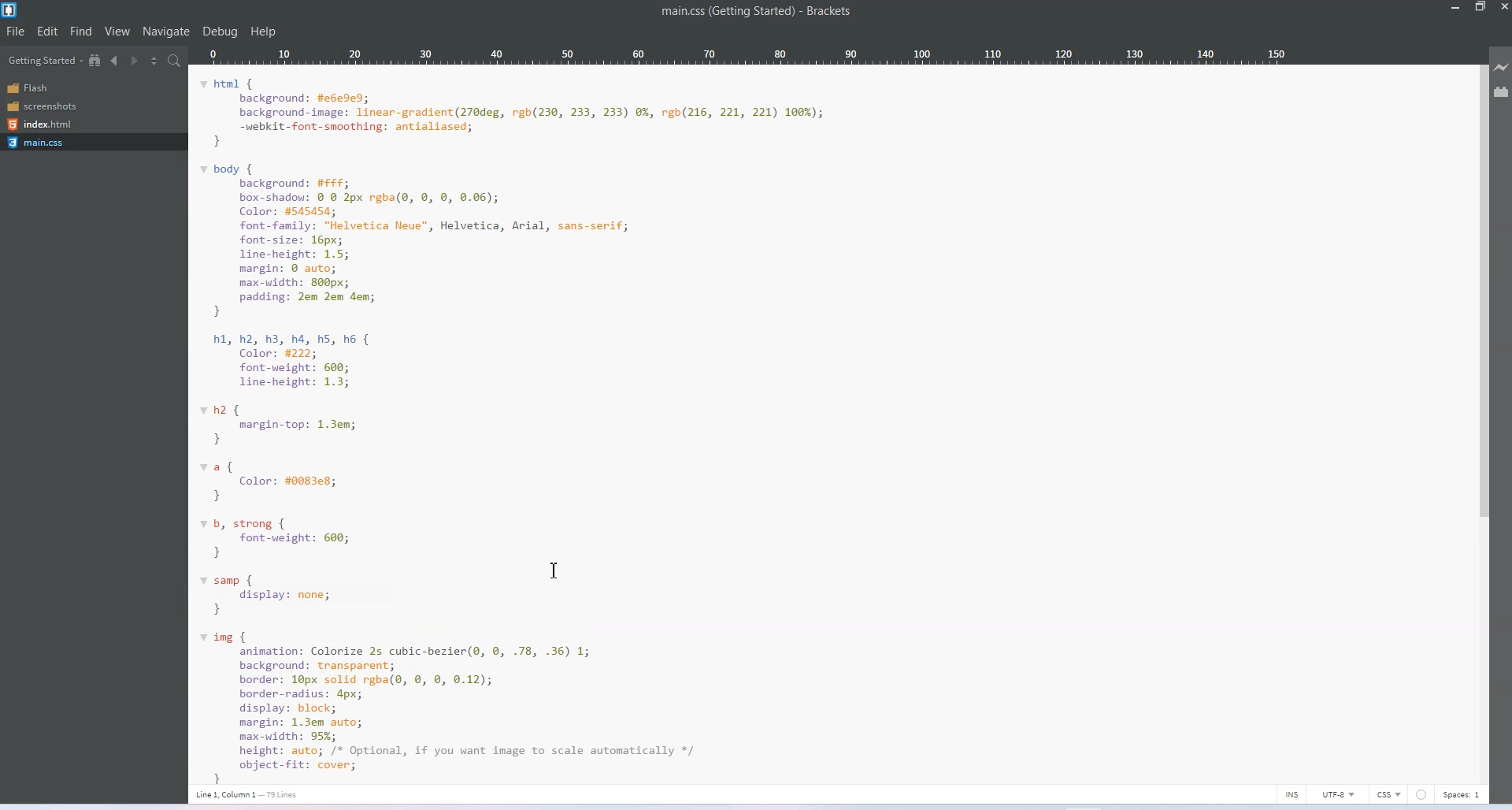  Describe the element at coordinates (1503, 66) in the screenshot. I see `Live Preview` at that location.